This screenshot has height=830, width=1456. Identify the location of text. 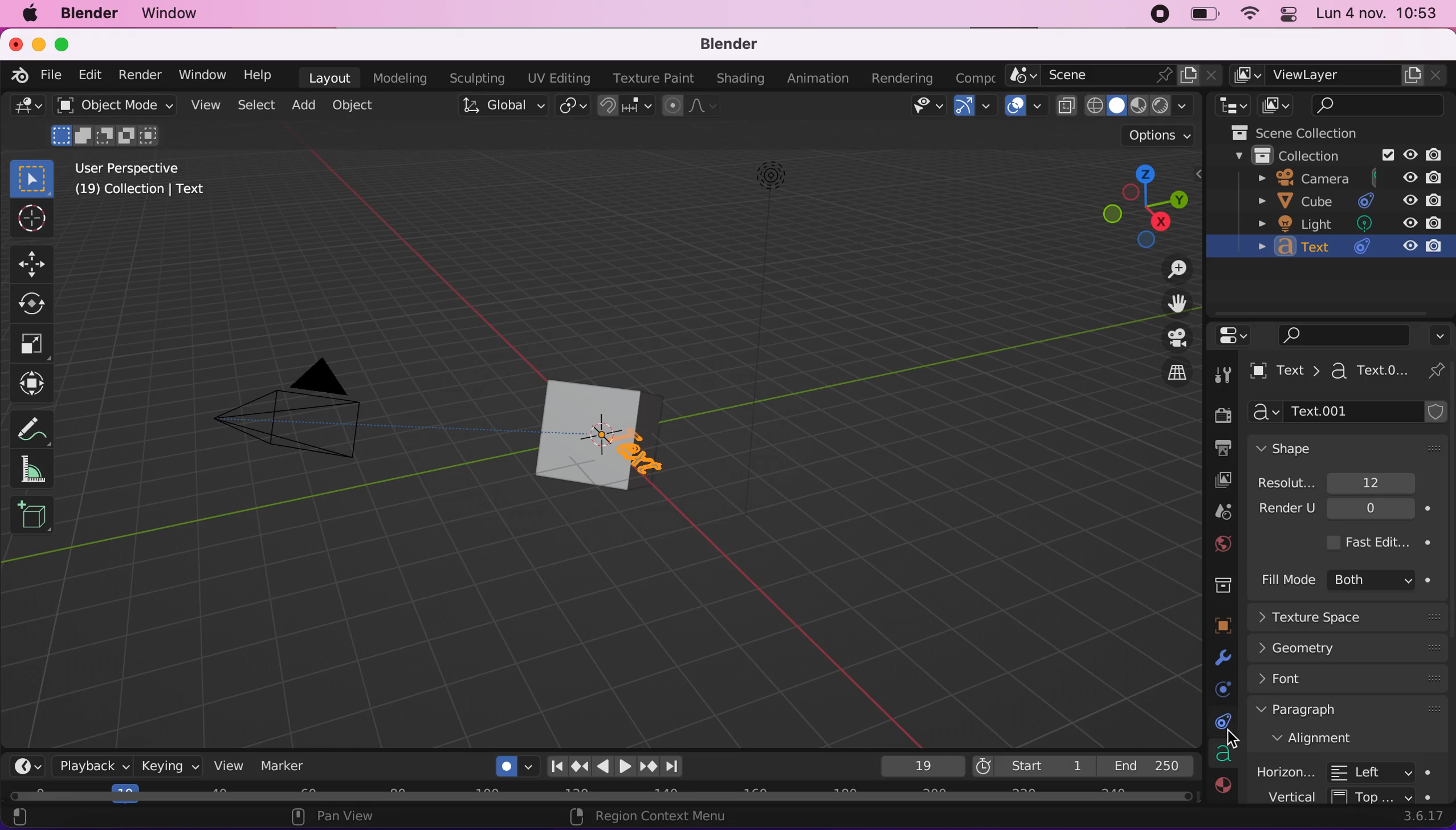
(1328, 373).